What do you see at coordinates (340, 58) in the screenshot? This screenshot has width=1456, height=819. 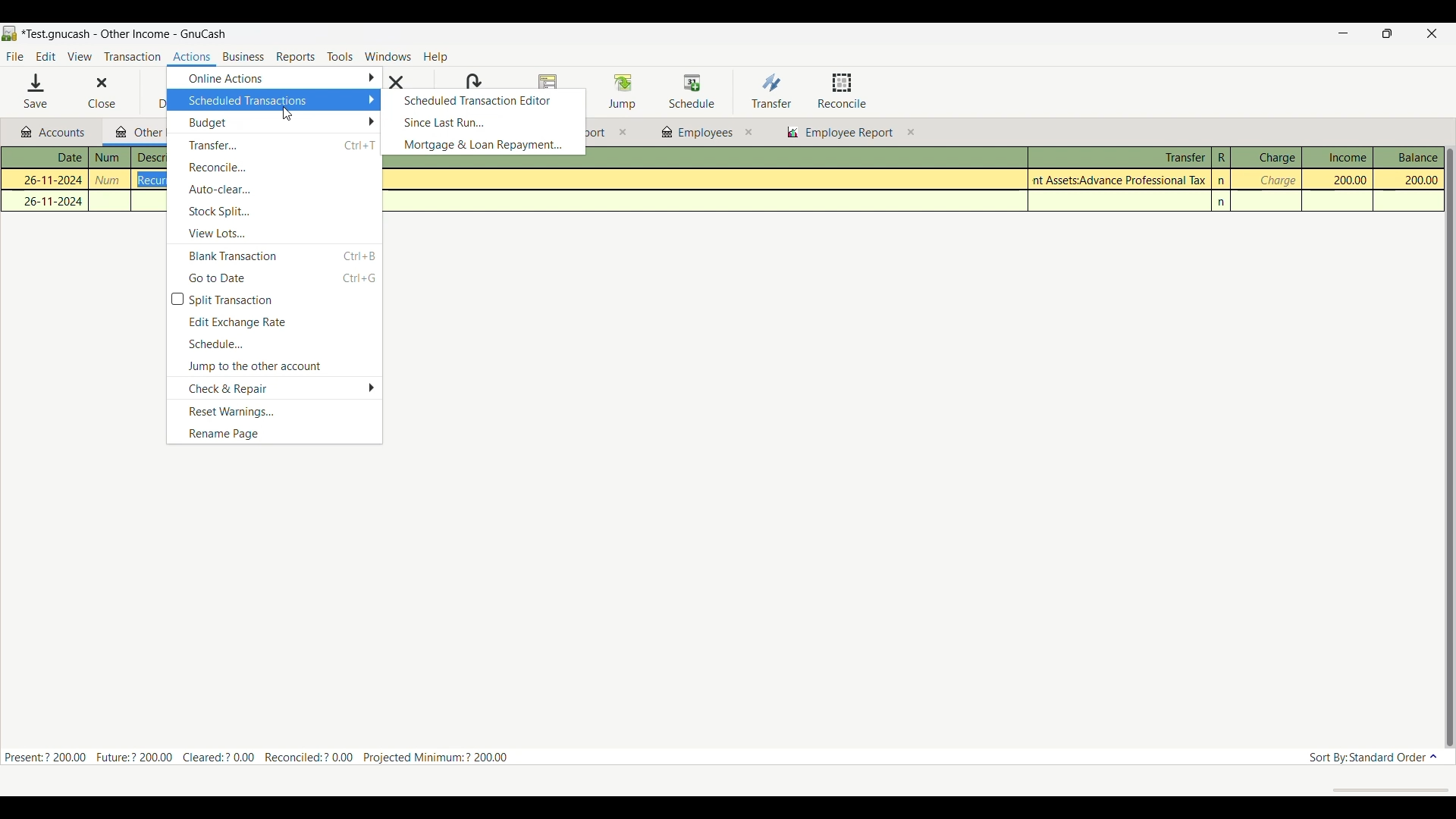 I see `Tools menu` at bounding box center [340, 58].